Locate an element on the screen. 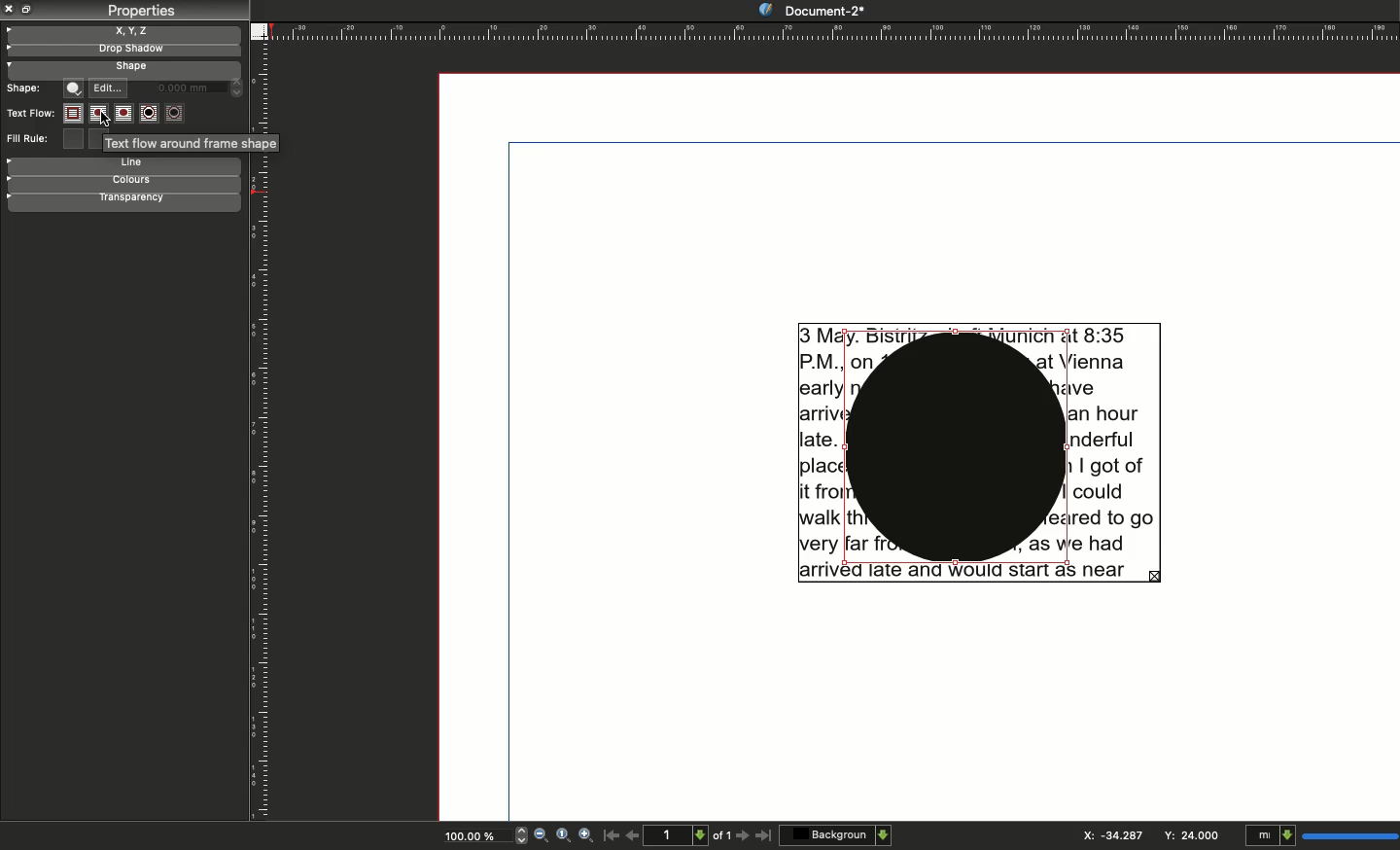 The image size is (1400, 850). Properties is located at coordinates (137, 12).